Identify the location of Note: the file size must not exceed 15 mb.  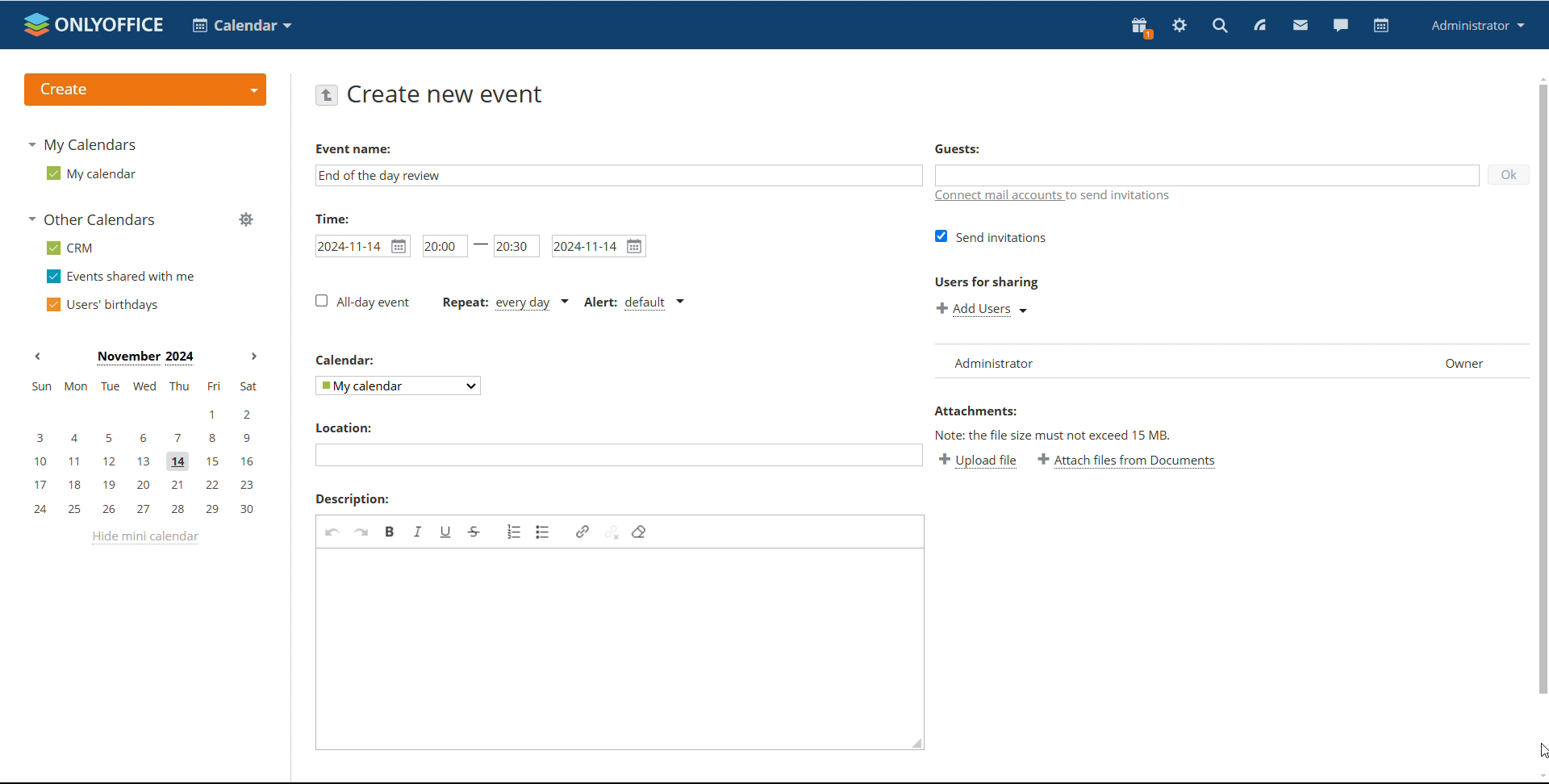
(1054, 435).